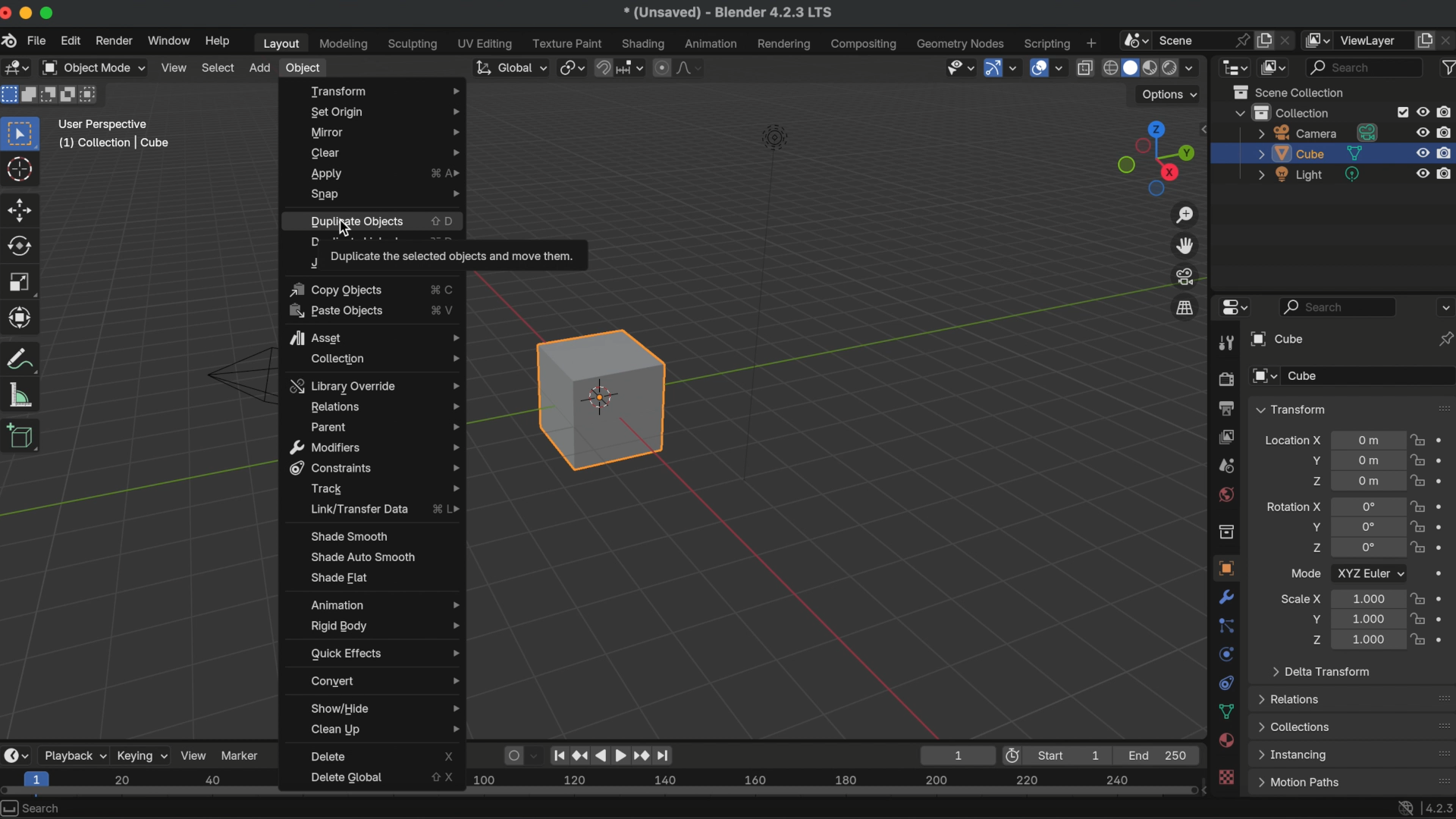 The width and height of the screenshot is (1456, 819). I want to click on shade smooth, so click(347, 536).